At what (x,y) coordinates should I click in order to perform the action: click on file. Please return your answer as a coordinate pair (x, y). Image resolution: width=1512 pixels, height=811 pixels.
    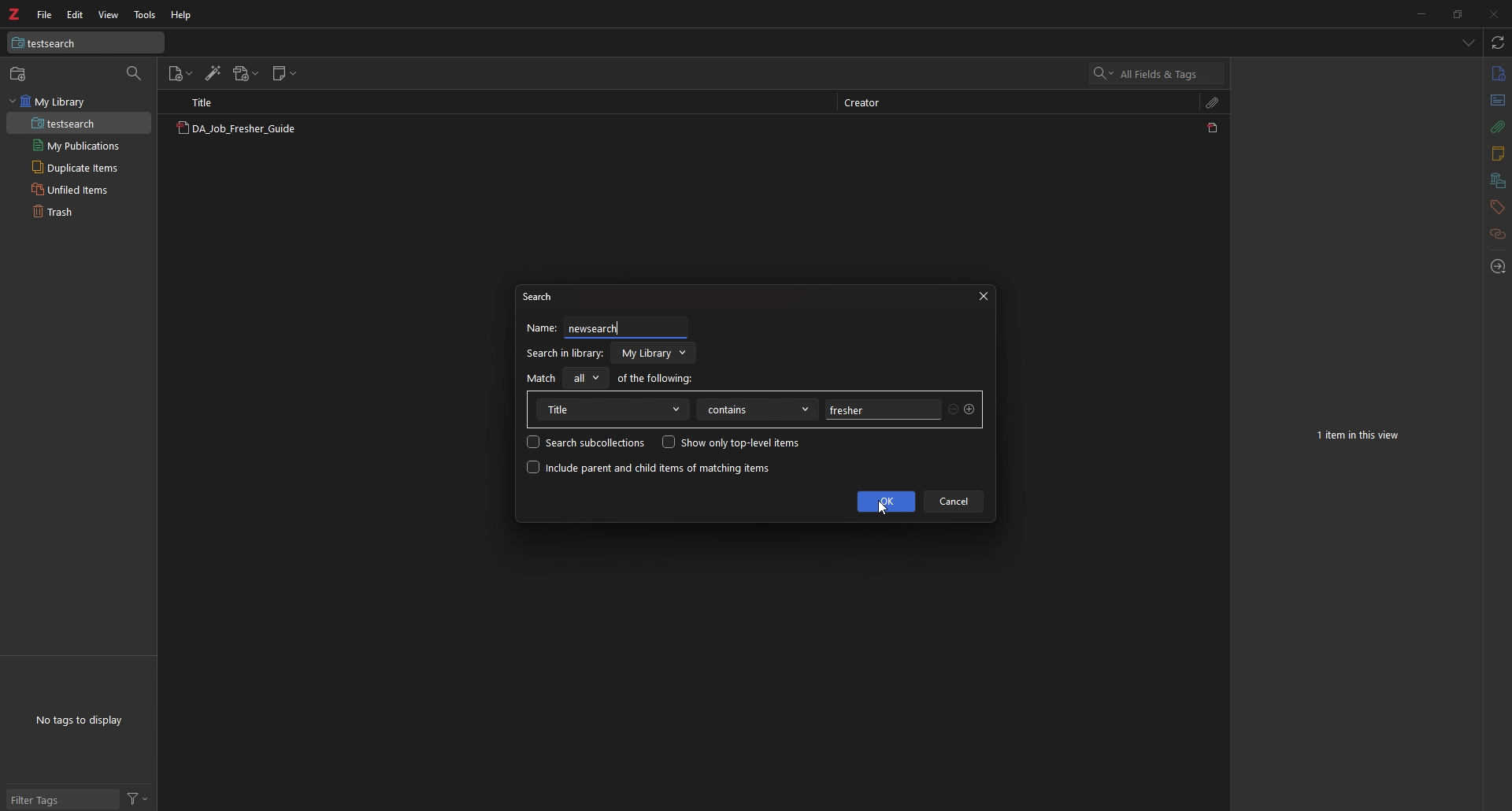
    Looking at the image, I should click on (46, 14).